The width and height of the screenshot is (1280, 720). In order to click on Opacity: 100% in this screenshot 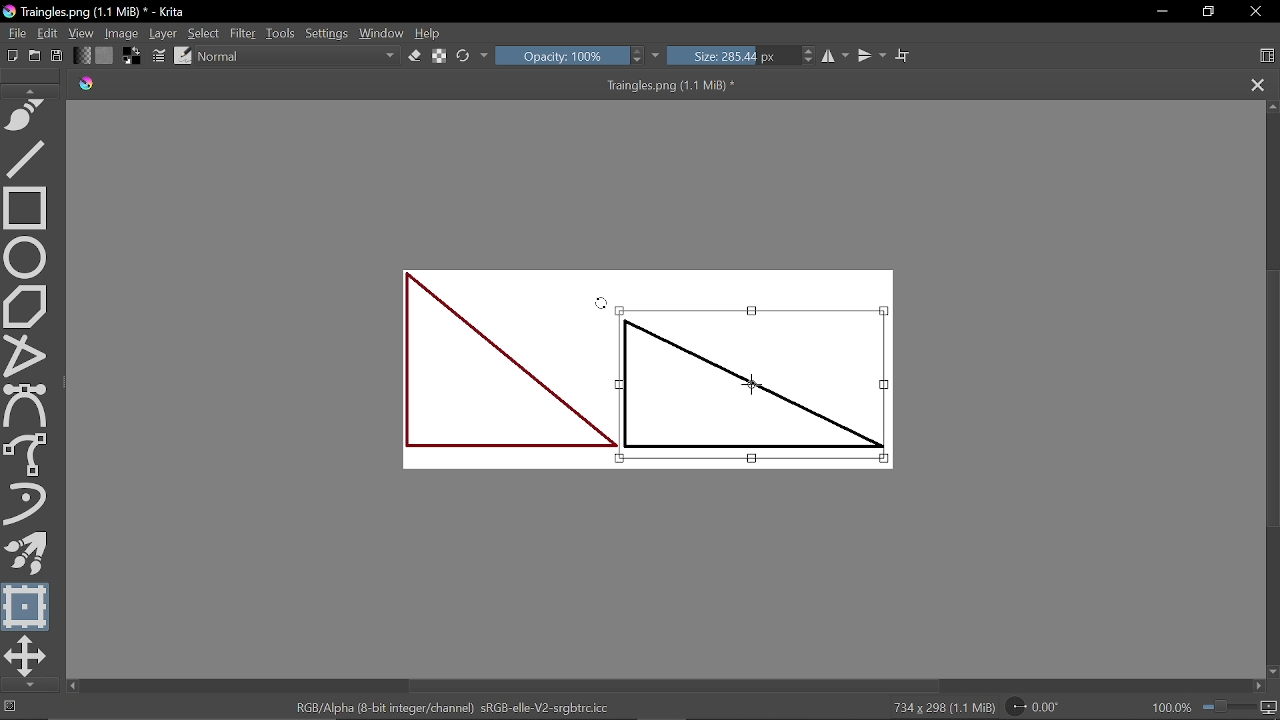, I will do `click(570, 57)`.